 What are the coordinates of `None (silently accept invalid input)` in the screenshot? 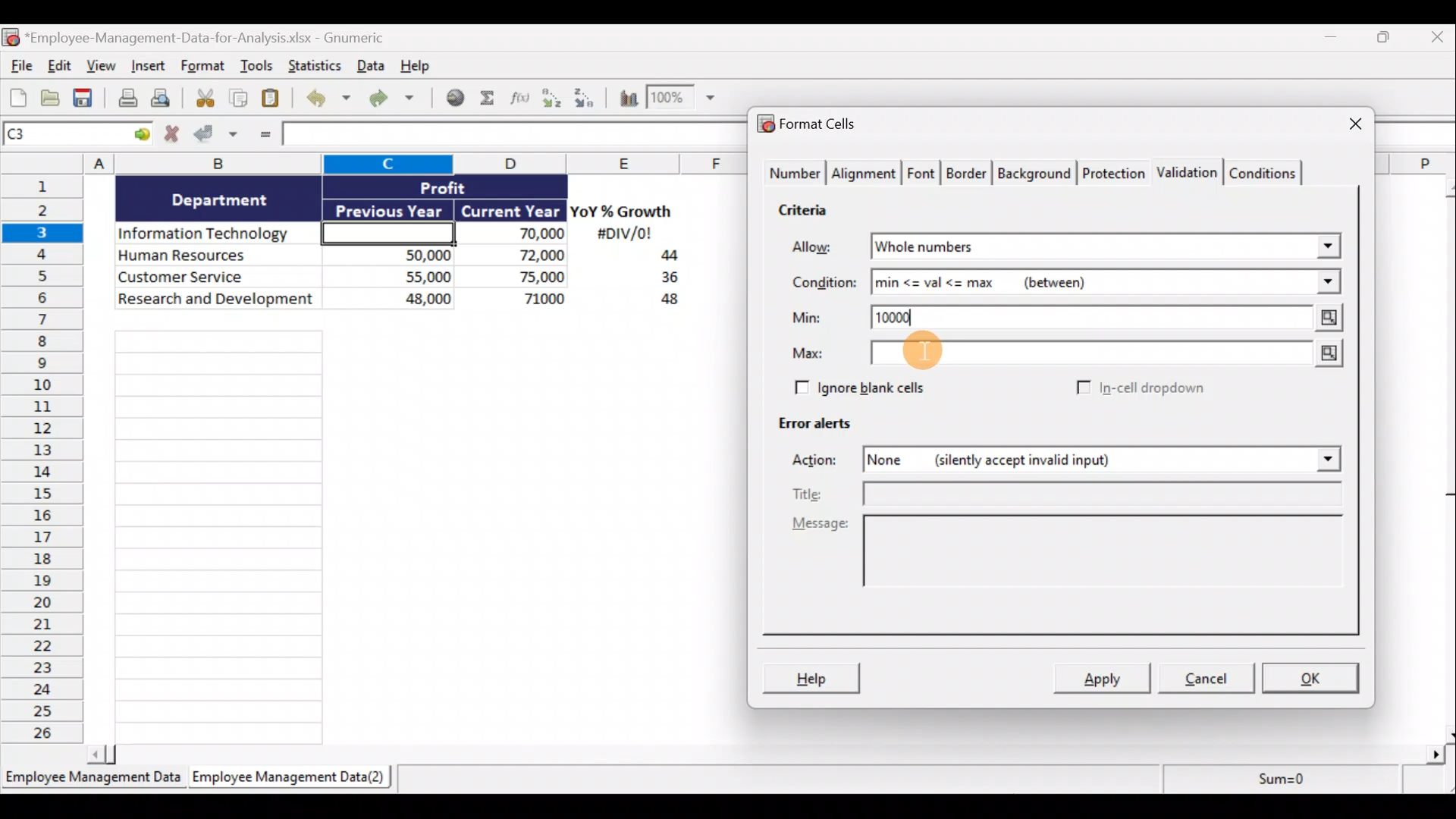 It's located at (1051, 462).